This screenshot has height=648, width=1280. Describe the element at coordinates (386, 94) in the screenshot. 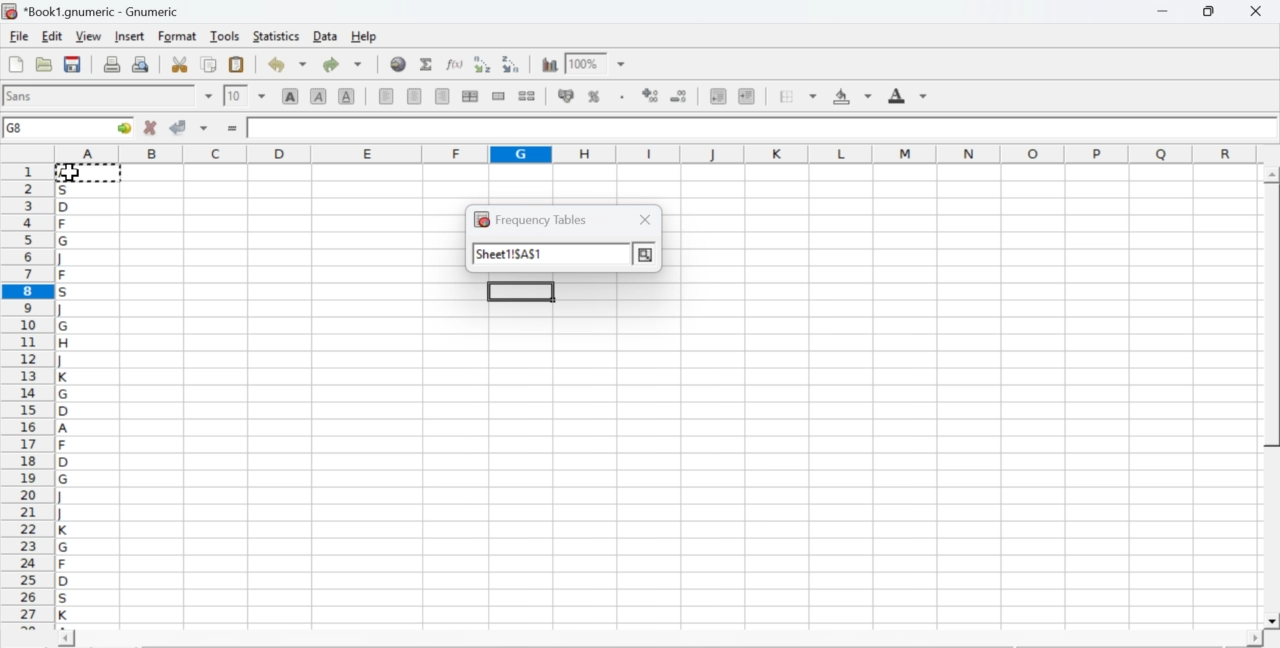

I see `align left` at that location.